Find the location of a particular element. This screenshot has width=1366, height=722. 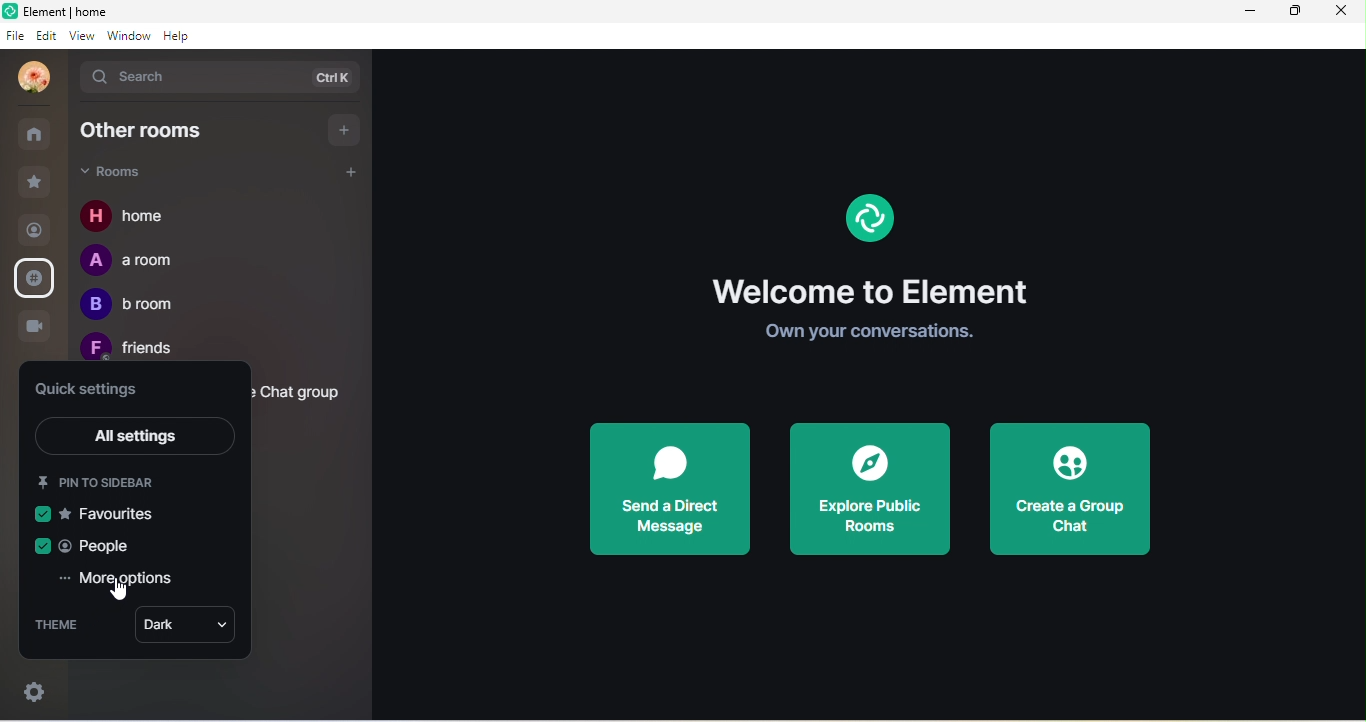

cursor movement is located at coordinates (121, 592).